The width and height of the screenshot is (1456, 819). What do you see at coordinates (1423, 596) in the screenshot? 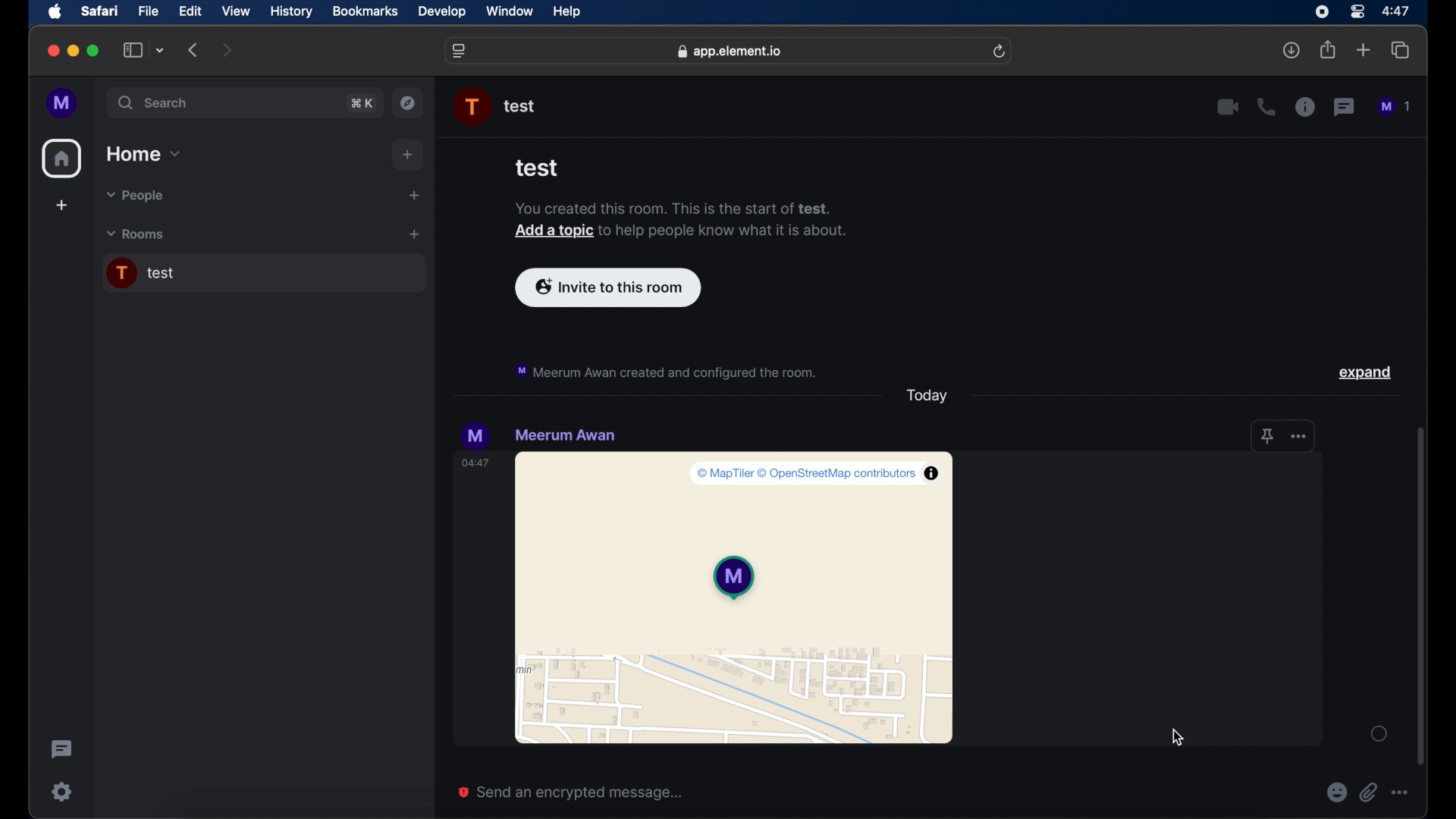
I see `scroll box` at bounding box center [1423, 596].